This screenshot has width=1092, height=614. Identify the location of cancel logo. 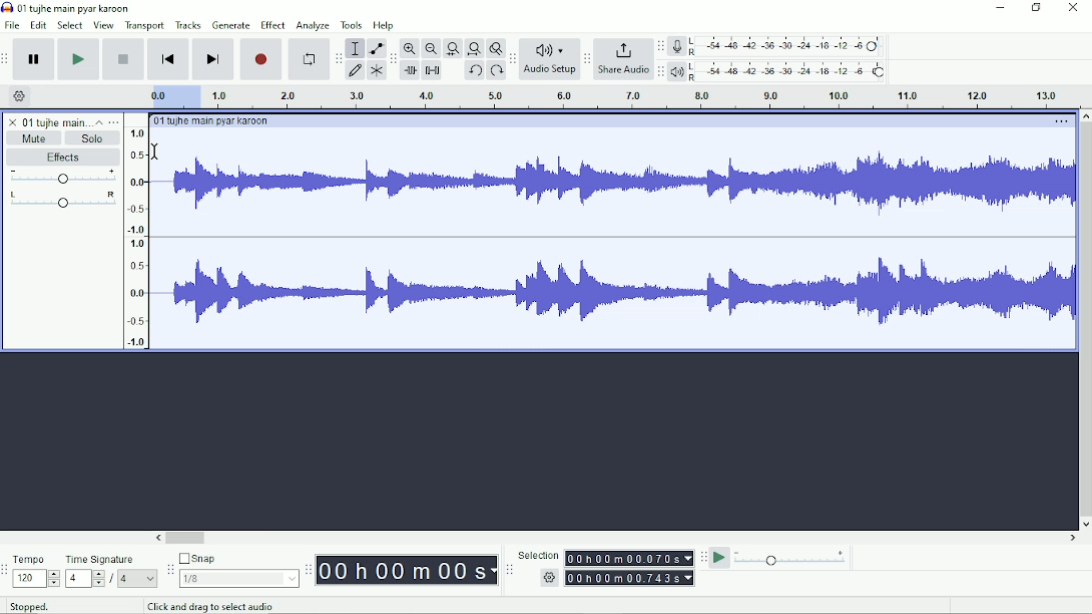
(14, 122).